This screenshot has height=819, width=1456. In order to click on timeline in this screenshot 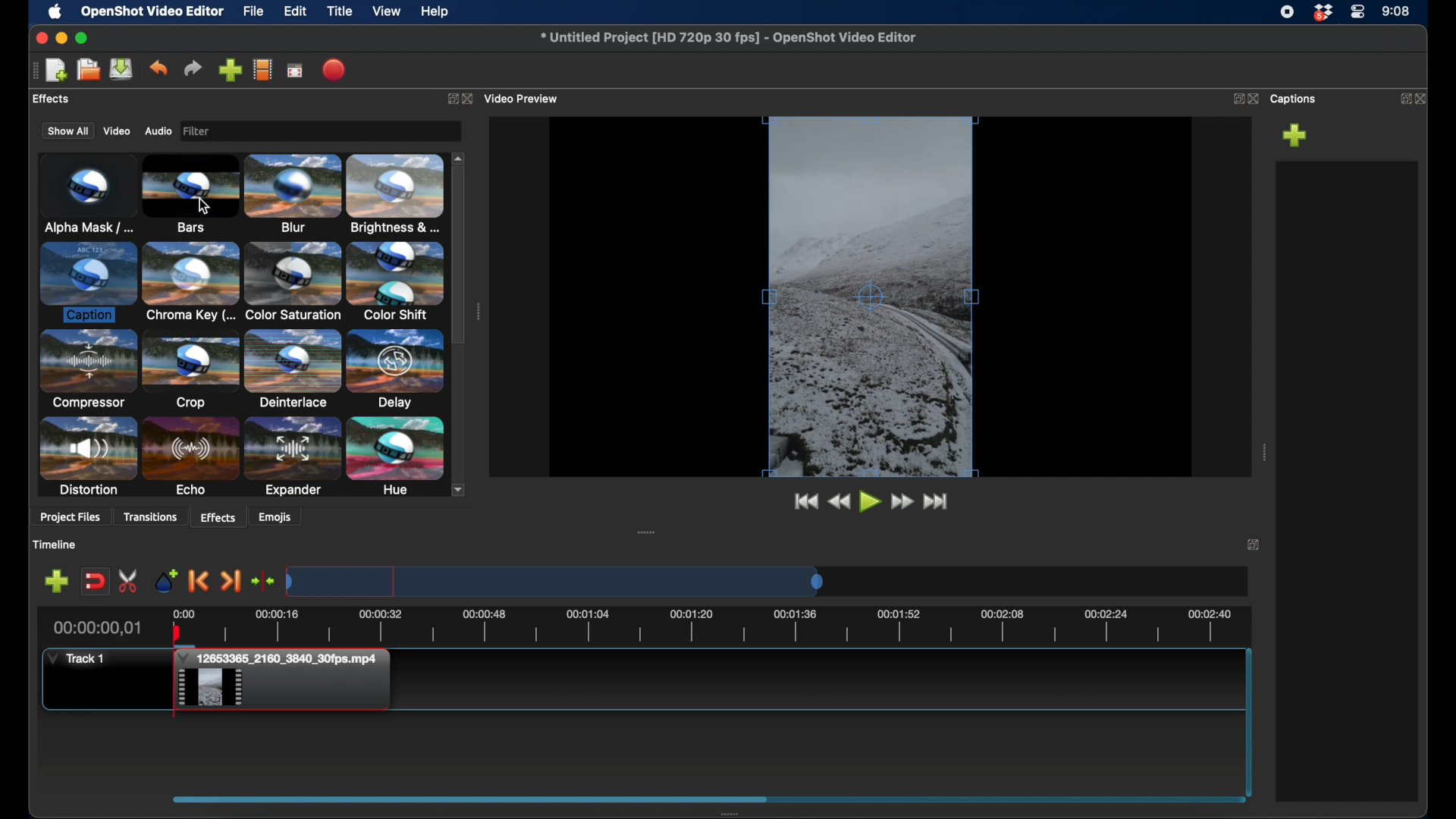, I will do `click(57, 544)`.